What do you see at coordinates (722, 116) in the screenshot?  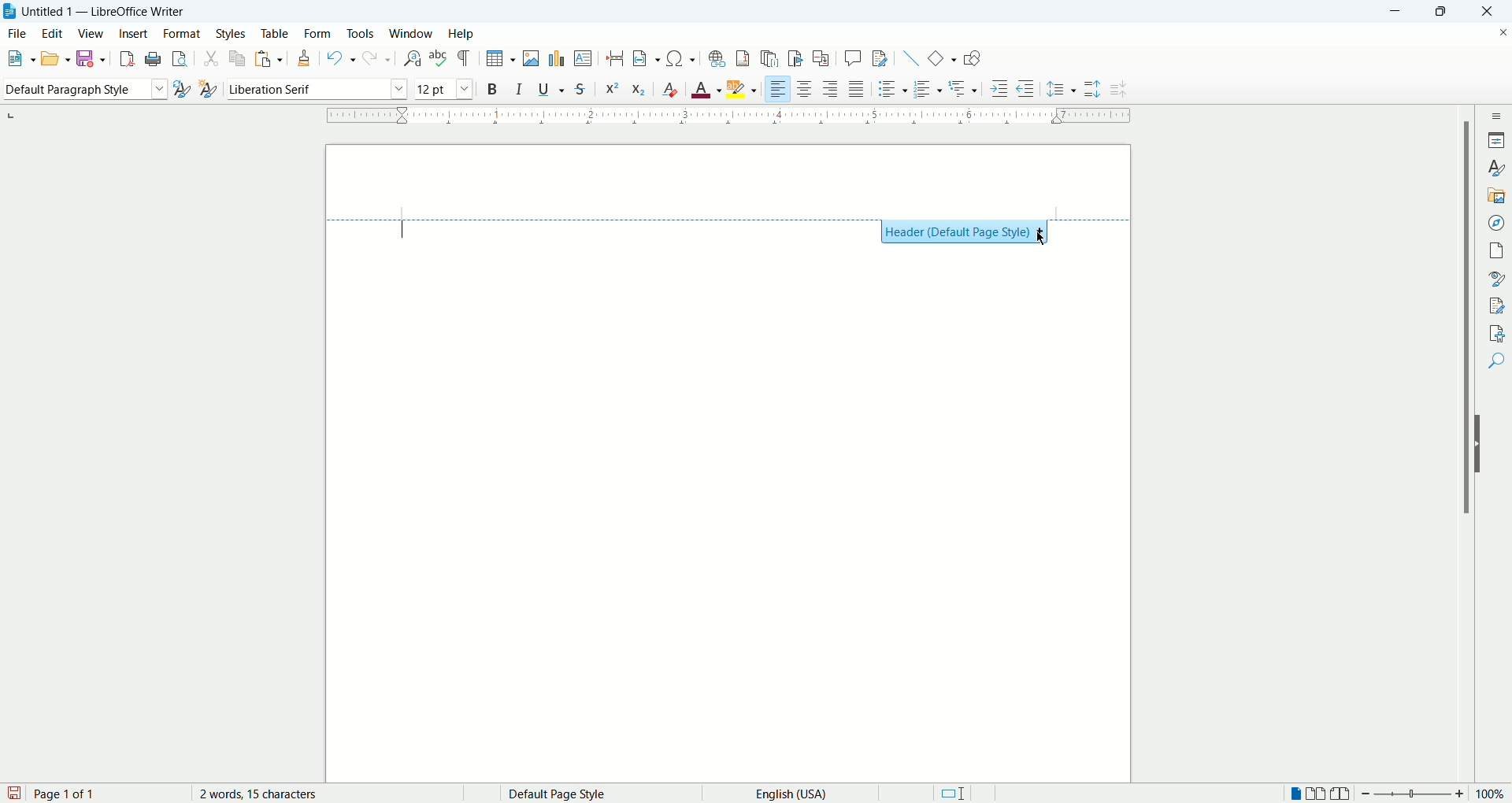 I see `ruler` at bounding box center [722, 116].